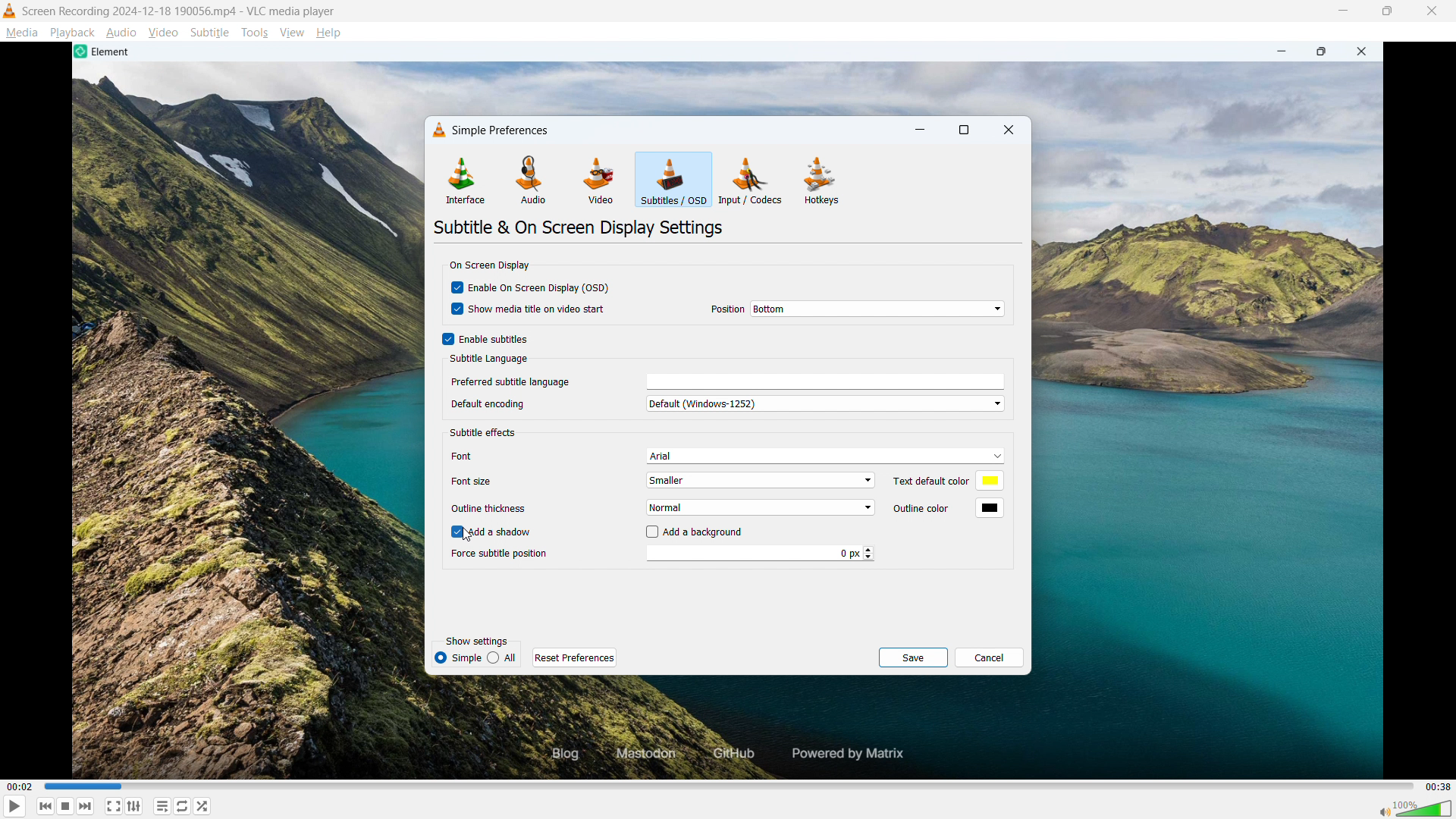  Describe the element at coordinates (726, 786) in the screenshot. I see `time bar` at that location.